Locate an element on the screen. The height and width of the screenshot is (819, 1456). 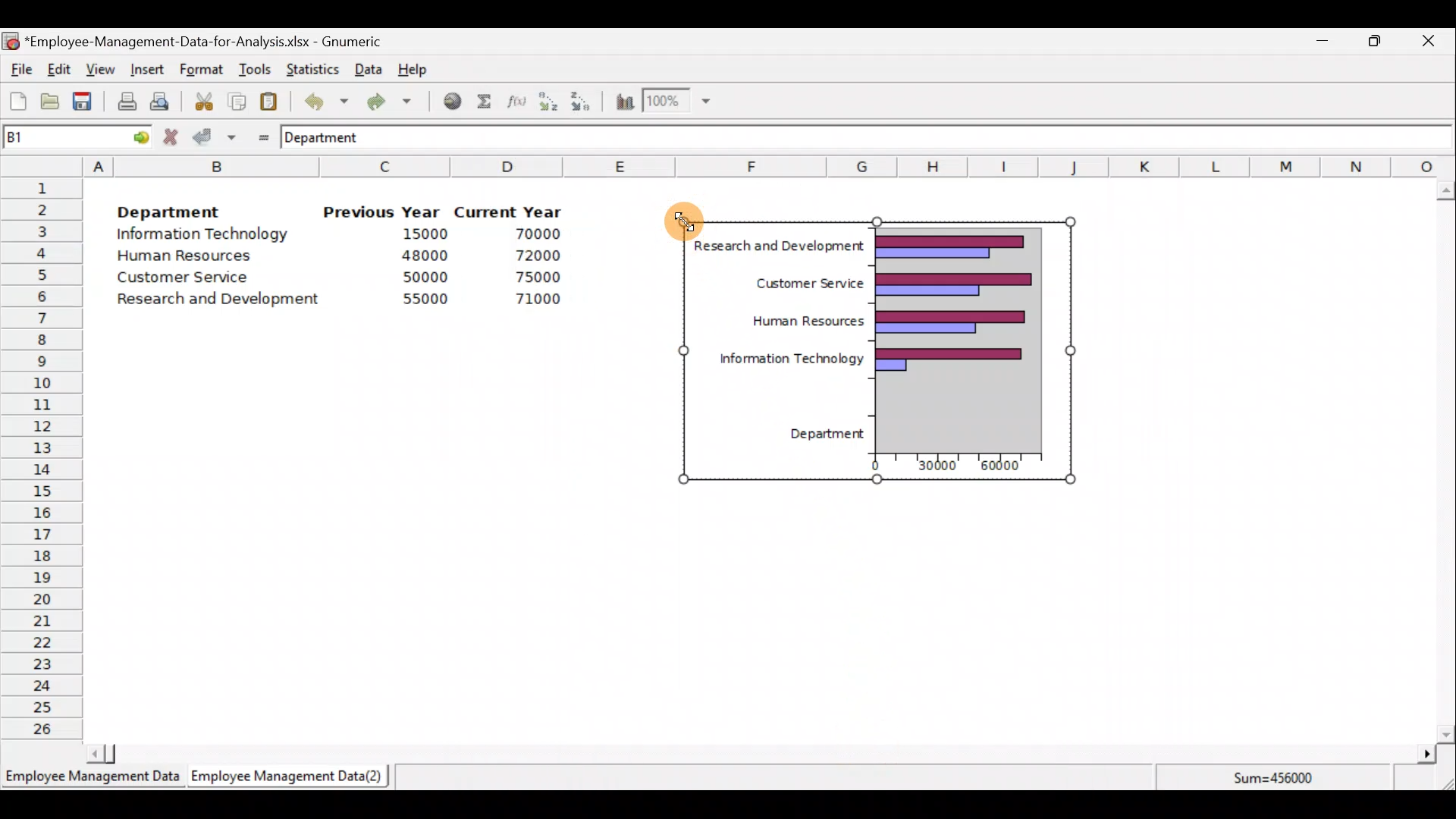
Gnumeric logo is located at coordinates (11, 42).